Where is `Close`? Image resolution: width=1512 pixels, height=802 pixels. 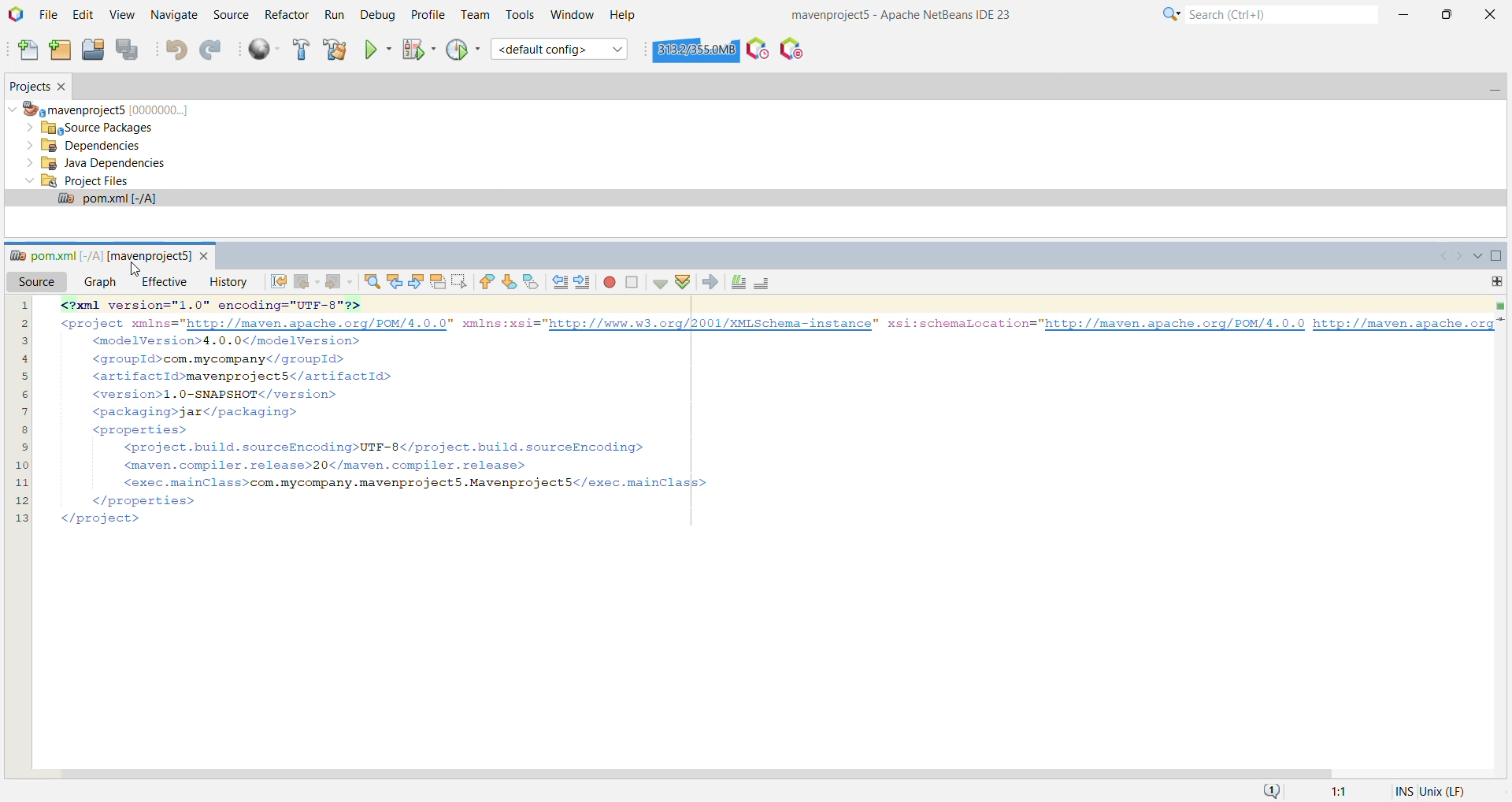
Close is located at coordinates (1491, 13).